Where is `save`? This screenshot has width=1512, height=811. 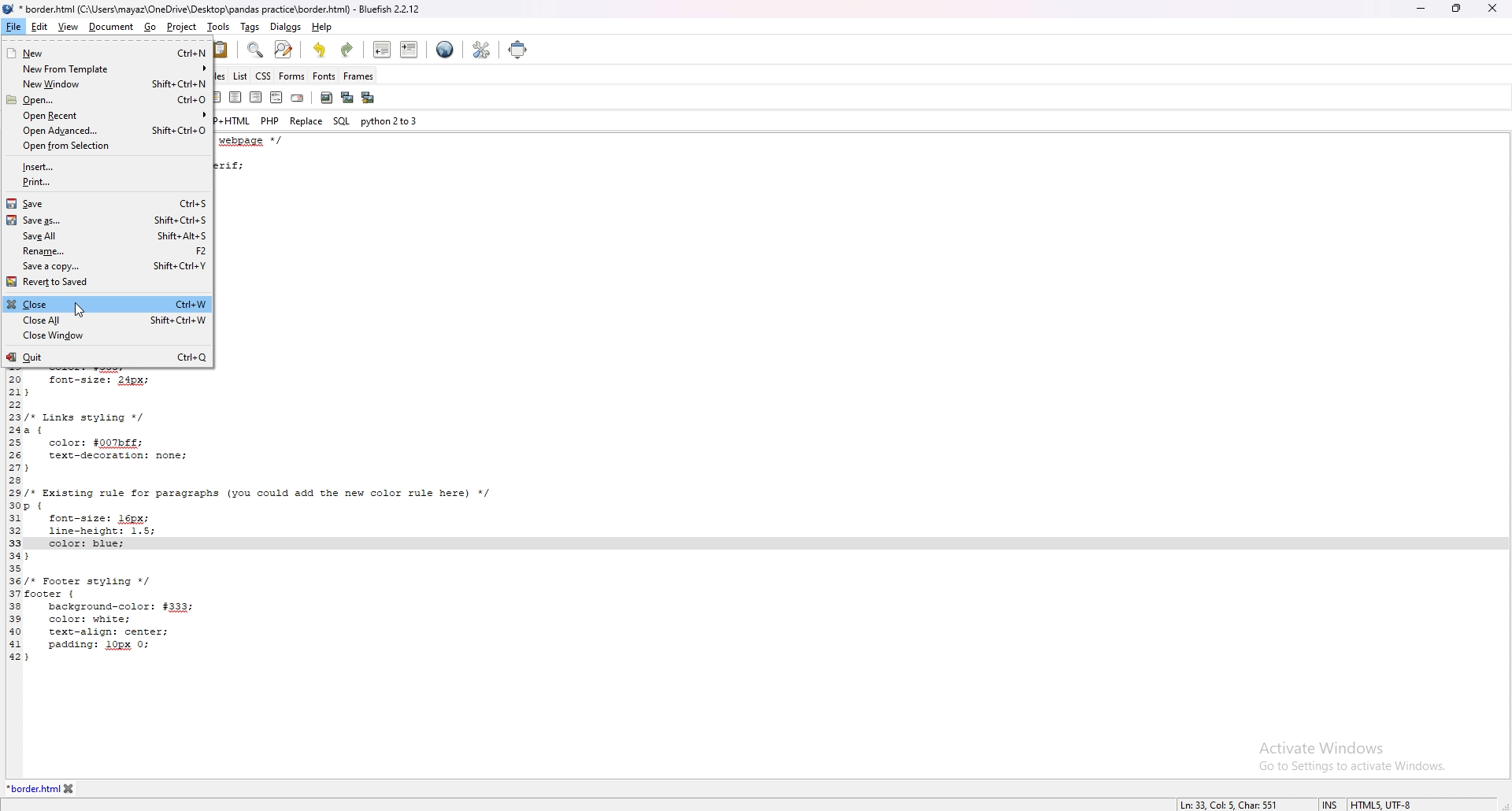
save is located at coordinates (106, 203).